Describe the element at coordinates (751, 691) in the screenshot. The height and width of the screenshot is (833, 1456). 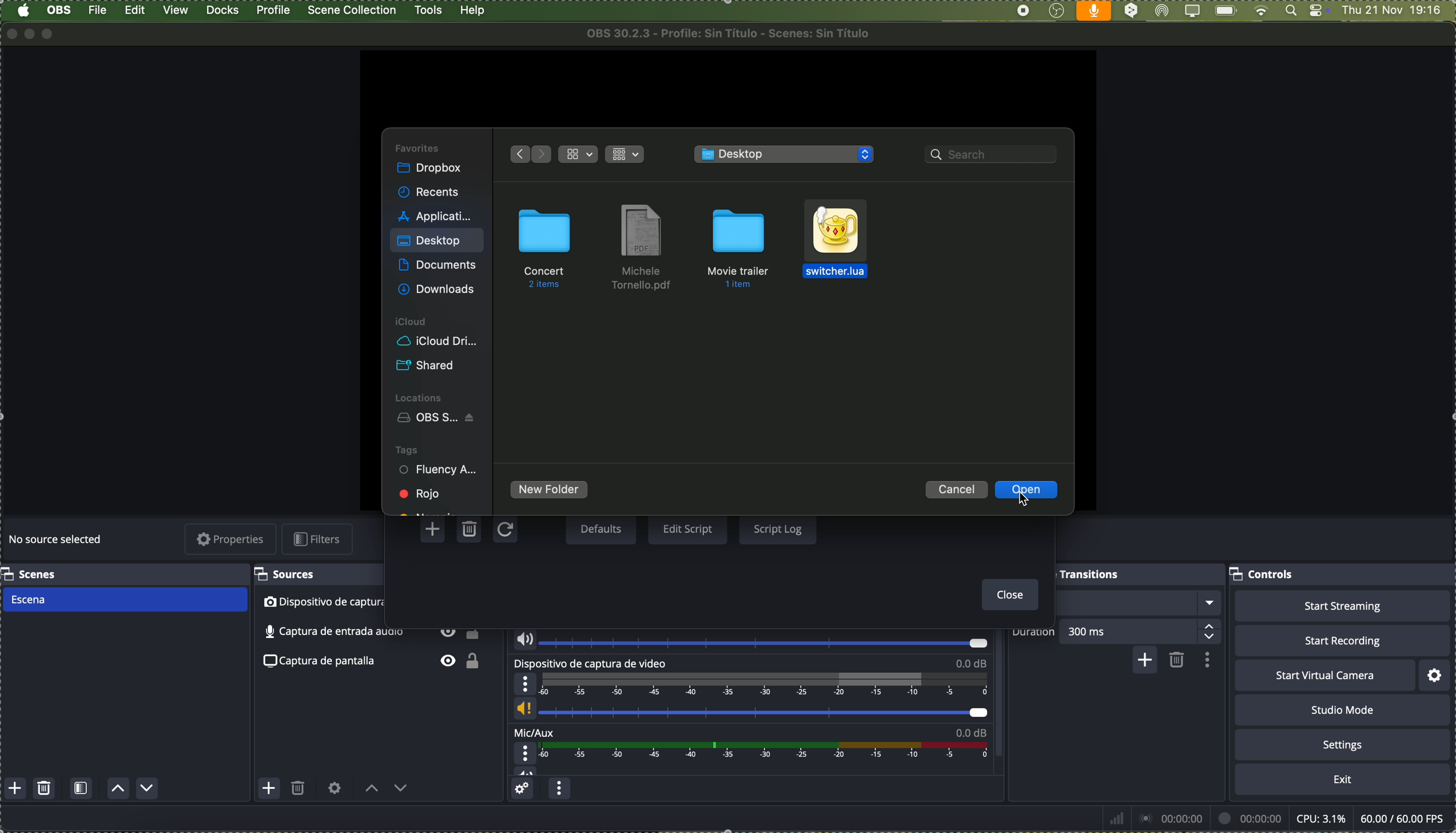
I see `video capture device` at that location.